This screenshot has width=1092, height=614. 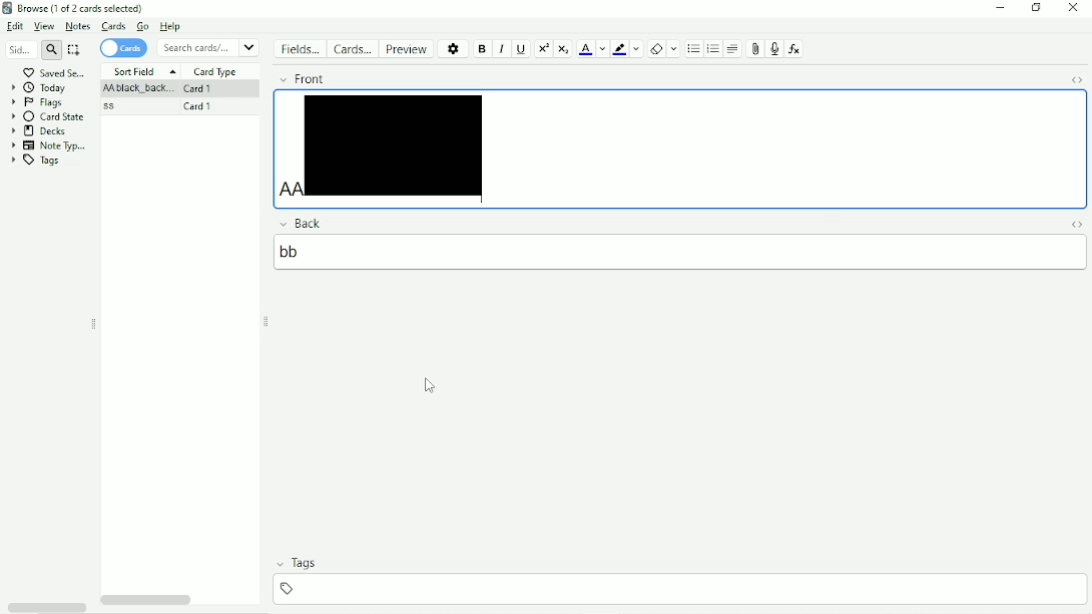 What do you see at coordinates (655, 50) in the screenshot?
I see `Remove formatting` at bounding box center [655, 50].